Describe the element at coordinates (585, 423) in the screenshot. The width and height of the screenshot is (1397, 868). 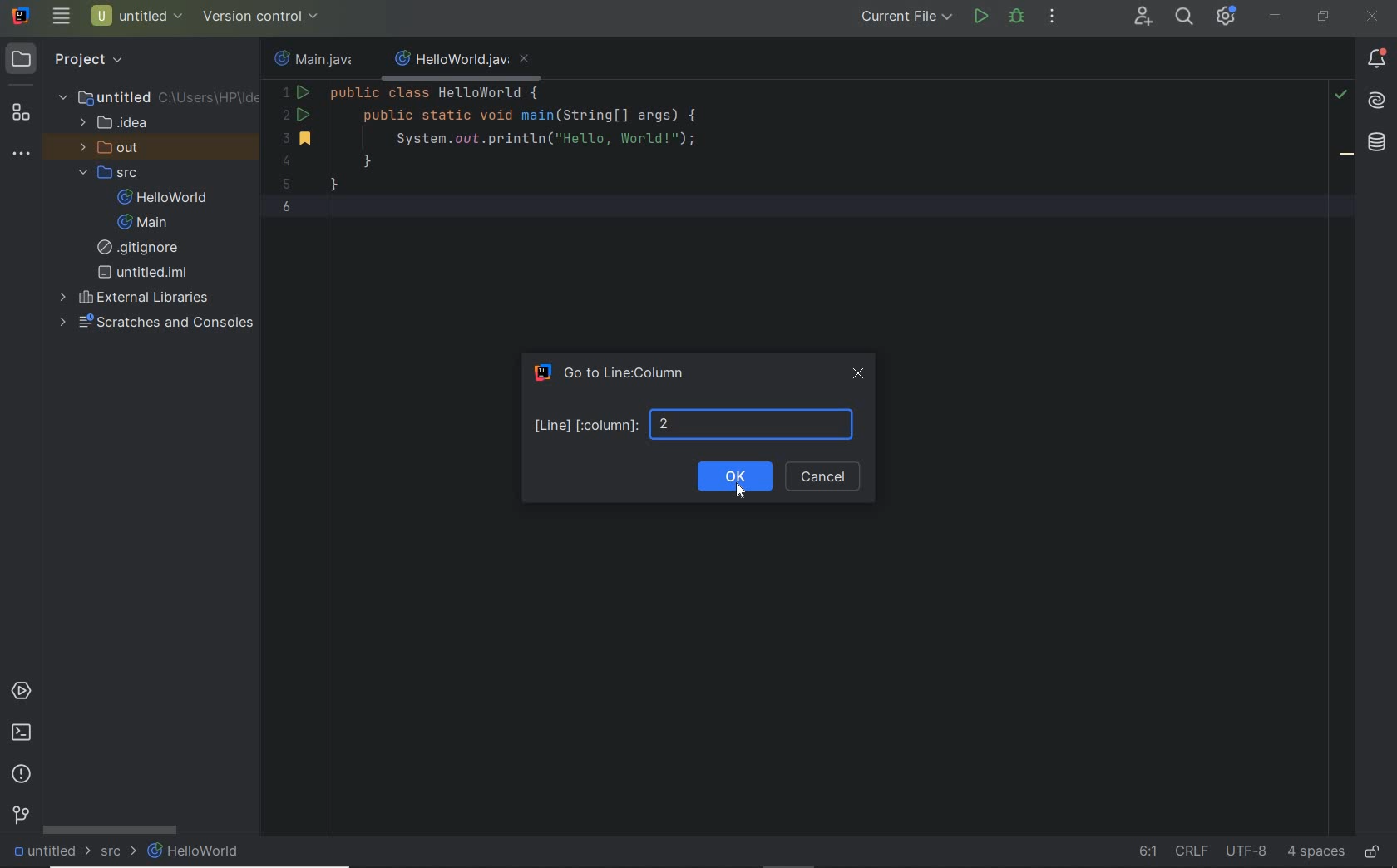
I see `Line [column]` at that location.